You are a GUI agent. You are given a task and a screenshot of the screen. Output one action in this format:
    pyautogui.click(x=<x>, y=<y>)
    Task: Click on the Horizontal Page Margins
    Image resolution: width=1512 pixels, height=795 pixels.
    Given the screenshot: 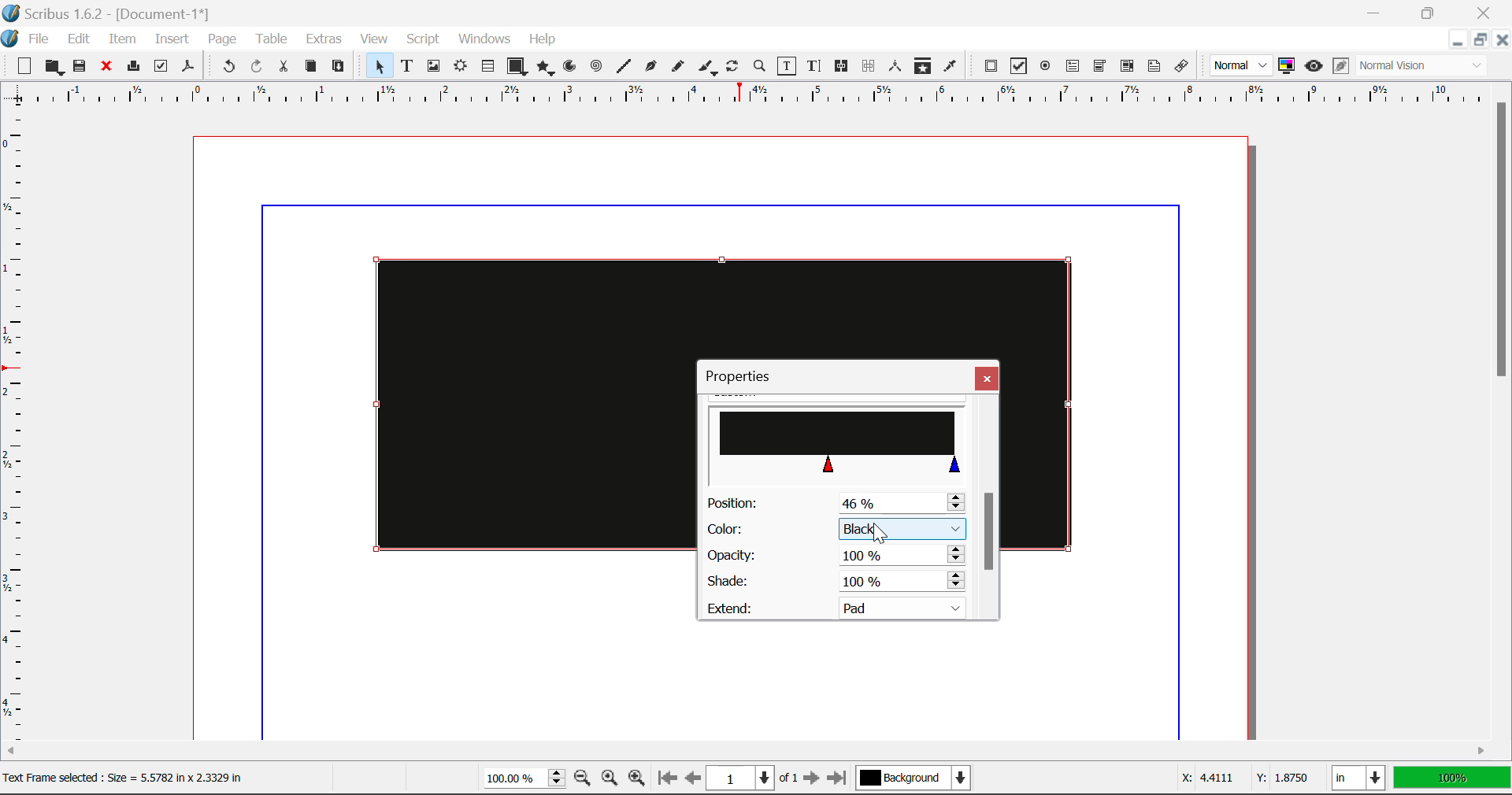 What is the action you would take?
    pyautogui.click(x=20, y=431)
    